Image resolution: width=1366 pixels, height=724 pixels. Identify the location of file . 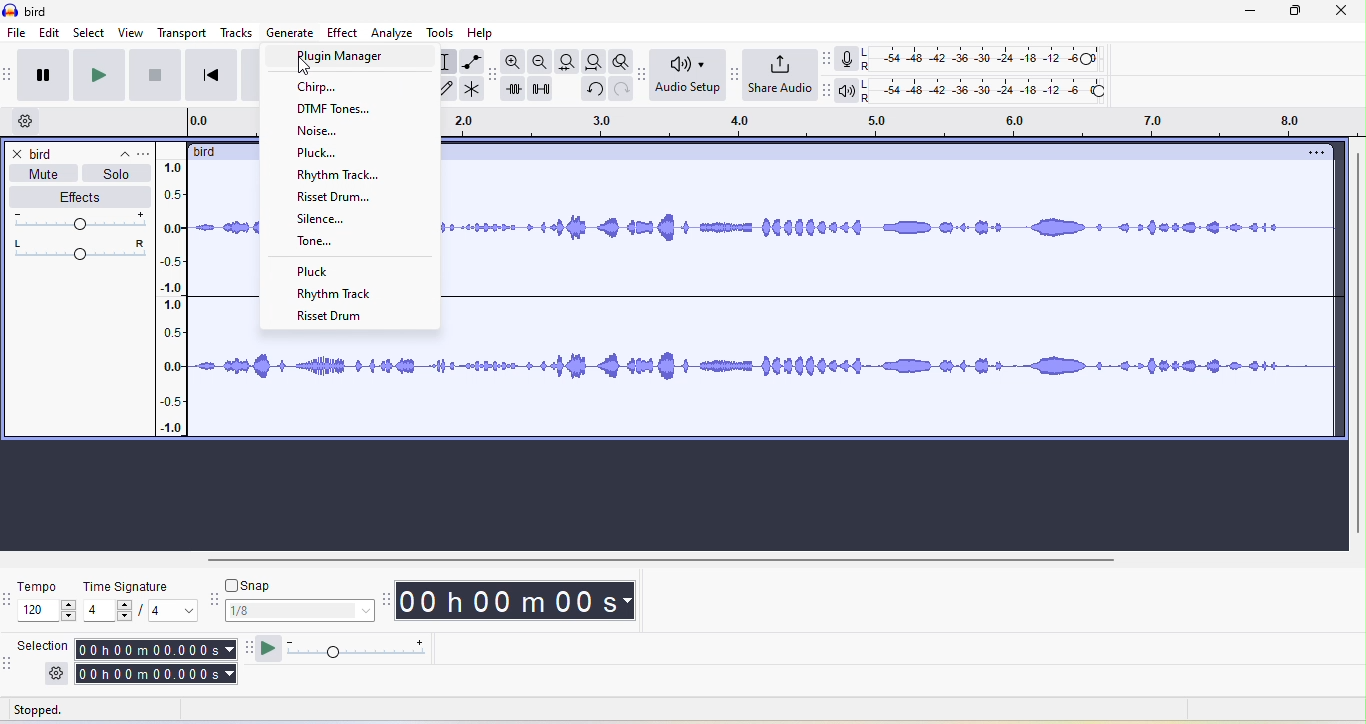
(18, 32).